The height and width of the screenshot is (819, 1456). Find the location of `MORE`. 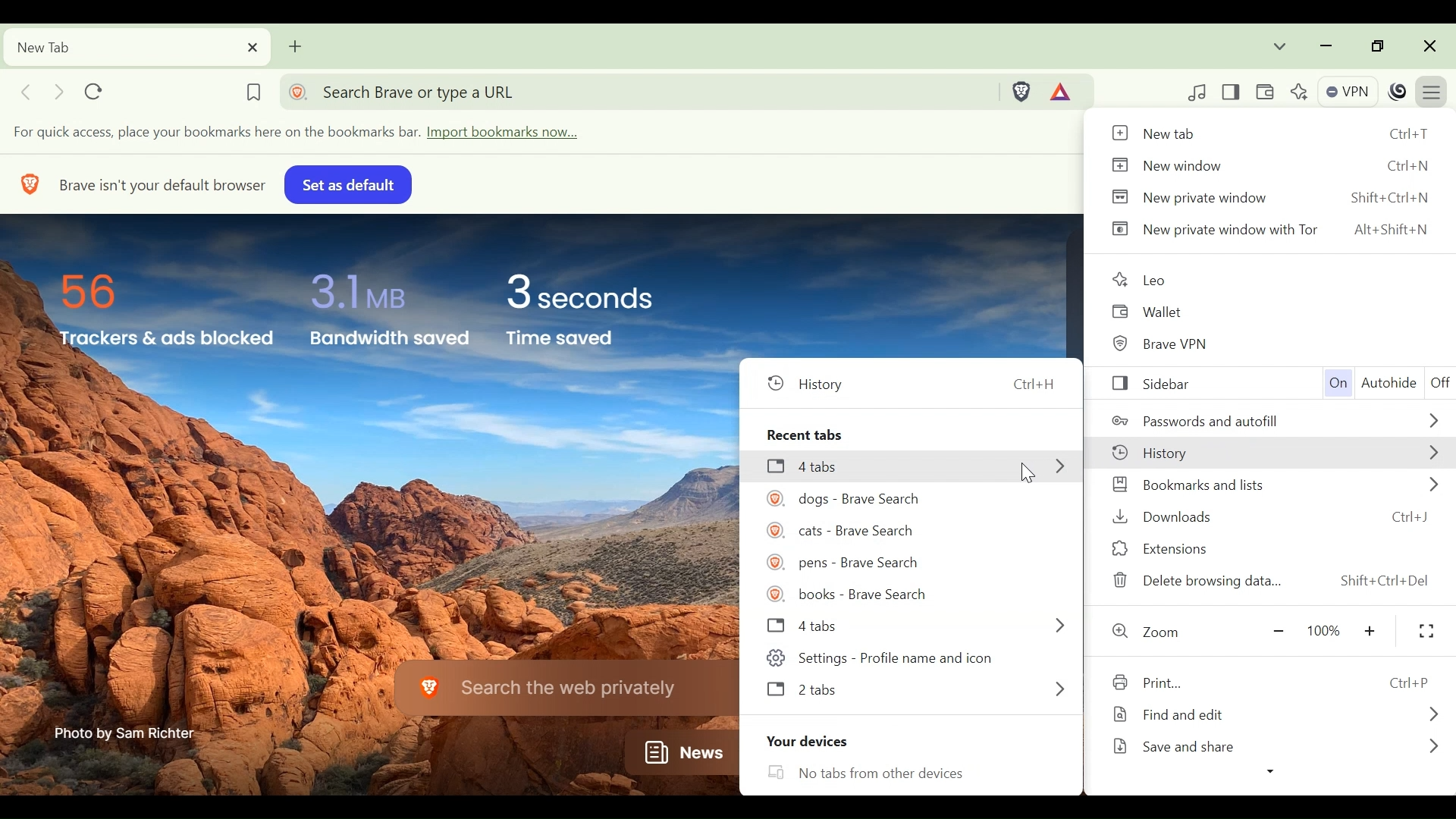

MORE is located at coordinates (1052, 625).